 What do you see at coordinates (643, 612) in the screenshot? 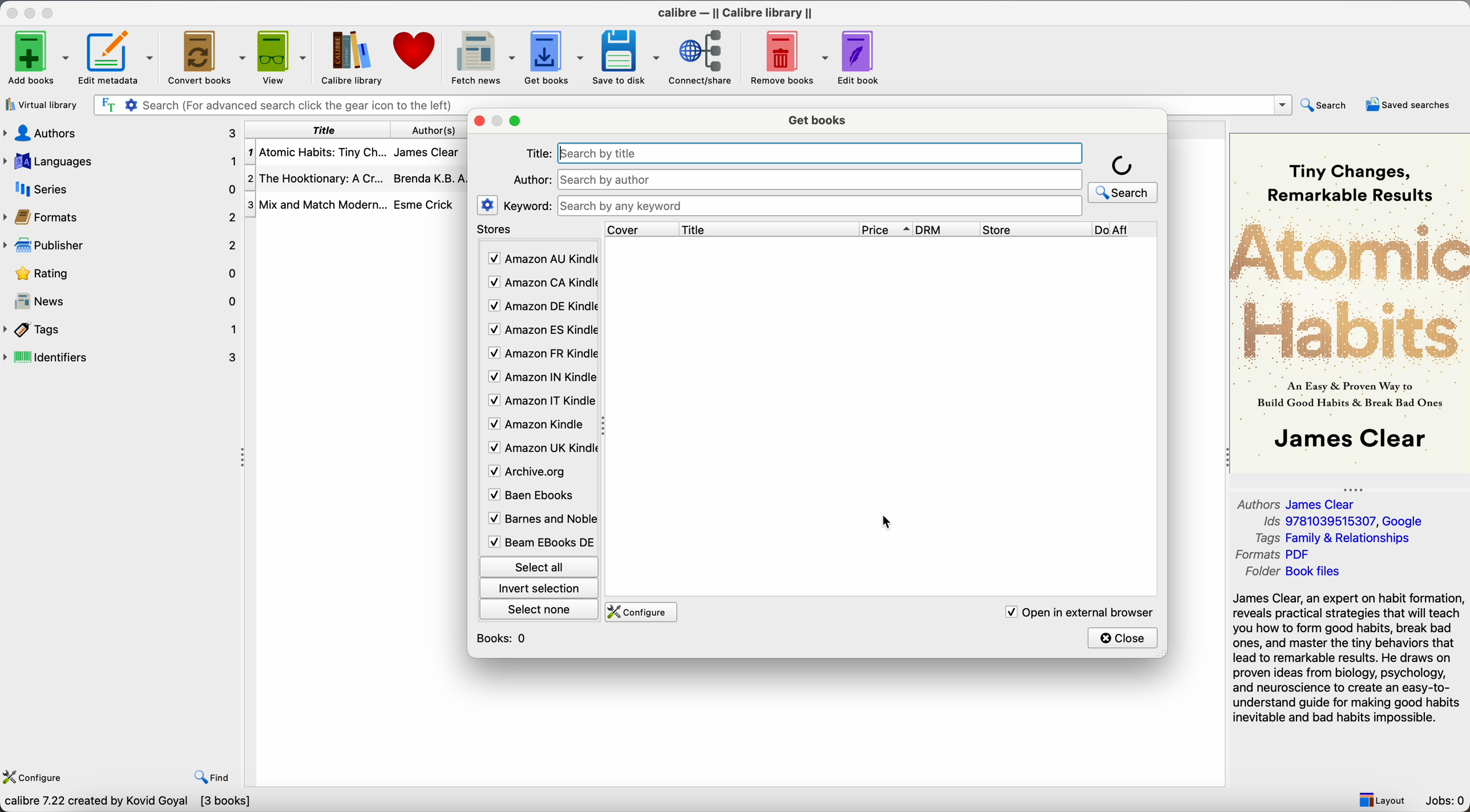
I see `configure` at bounding box center [643, 612].